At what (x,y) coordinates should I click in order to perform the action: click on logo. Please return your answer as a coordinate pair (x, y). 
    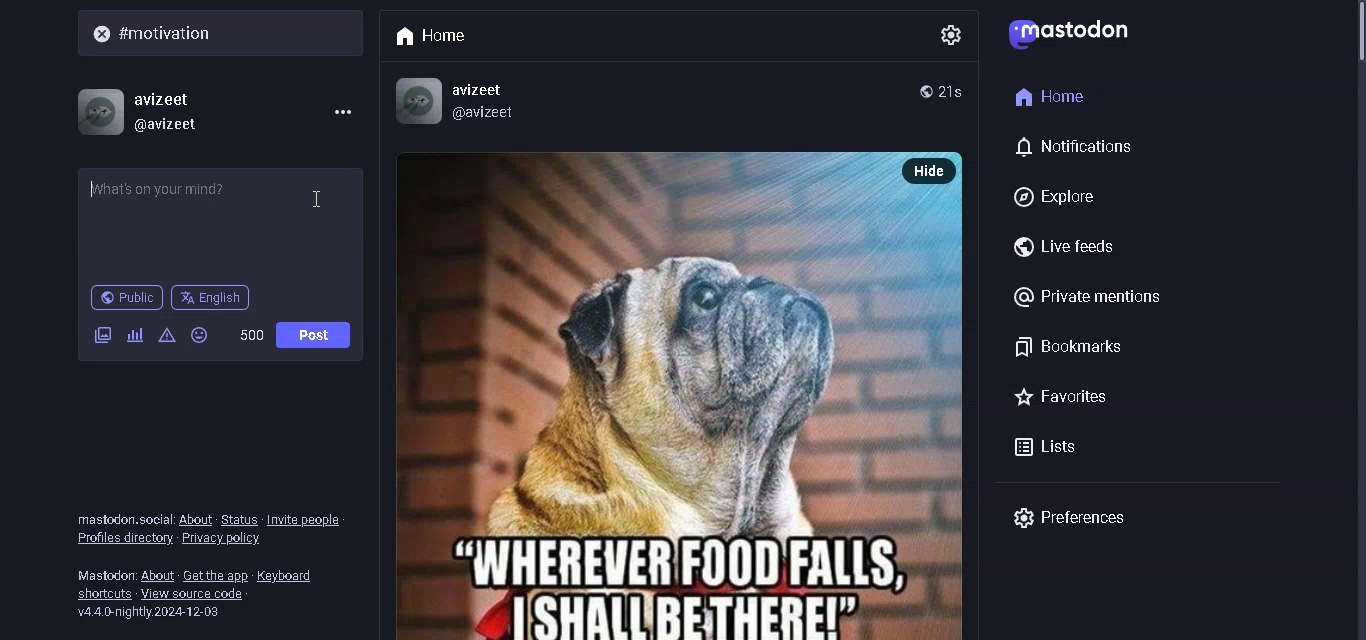
    Looking at the image, I should click on (1076, 37).